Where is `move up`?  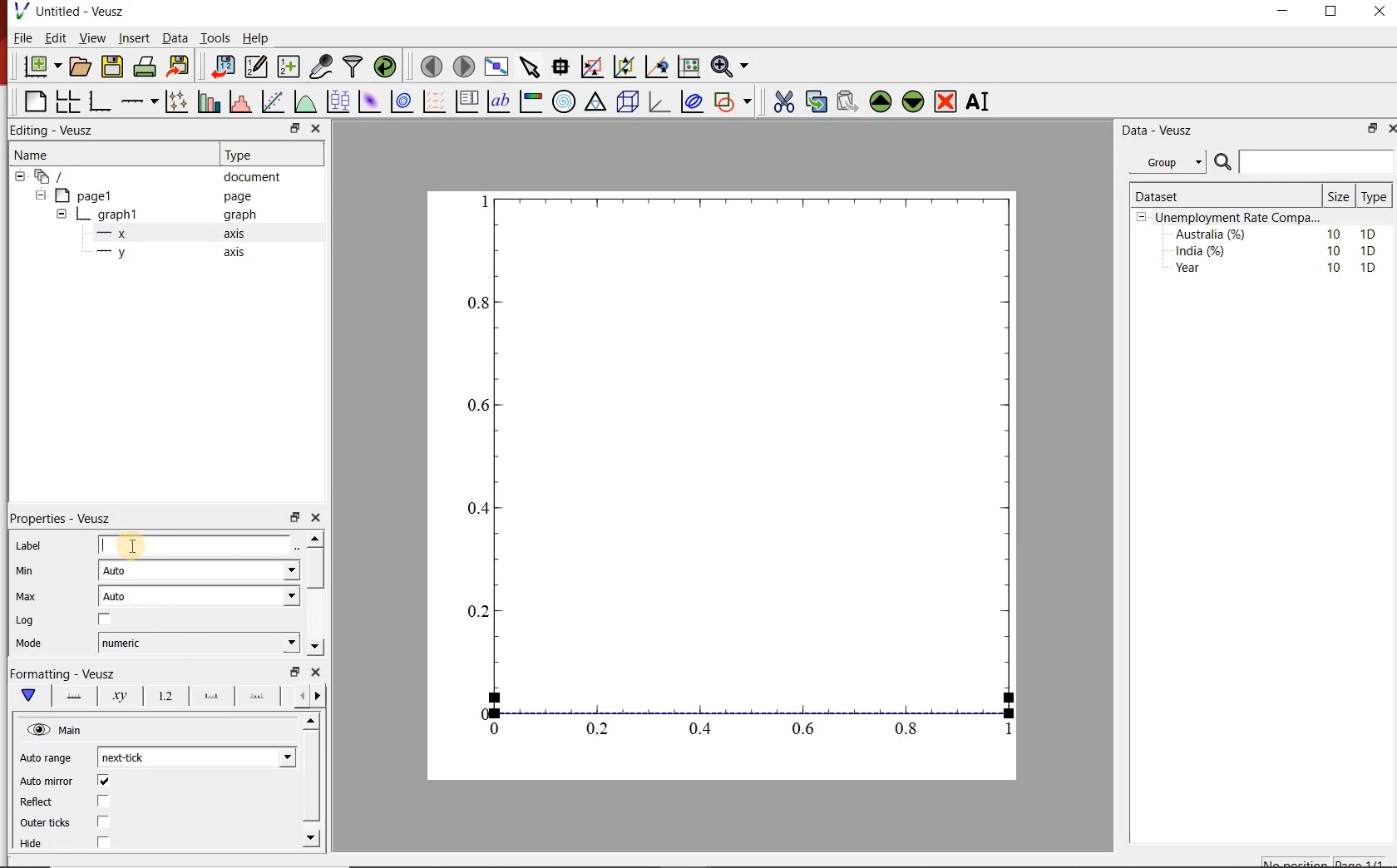 move up is located at coordinates (315, 538).